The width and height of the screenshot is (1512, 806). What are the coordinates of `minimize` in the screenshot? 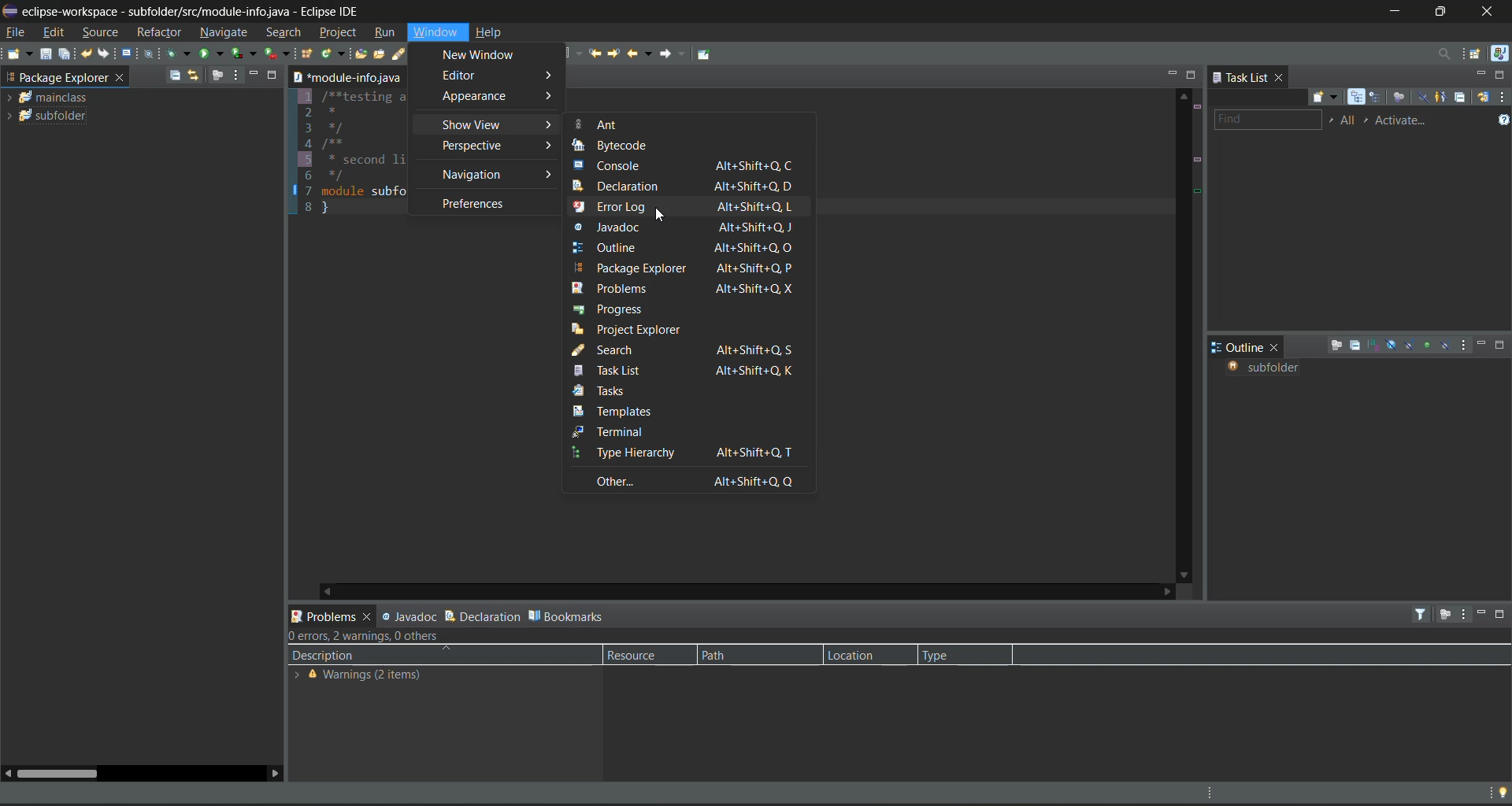 It's located at (258, 76).